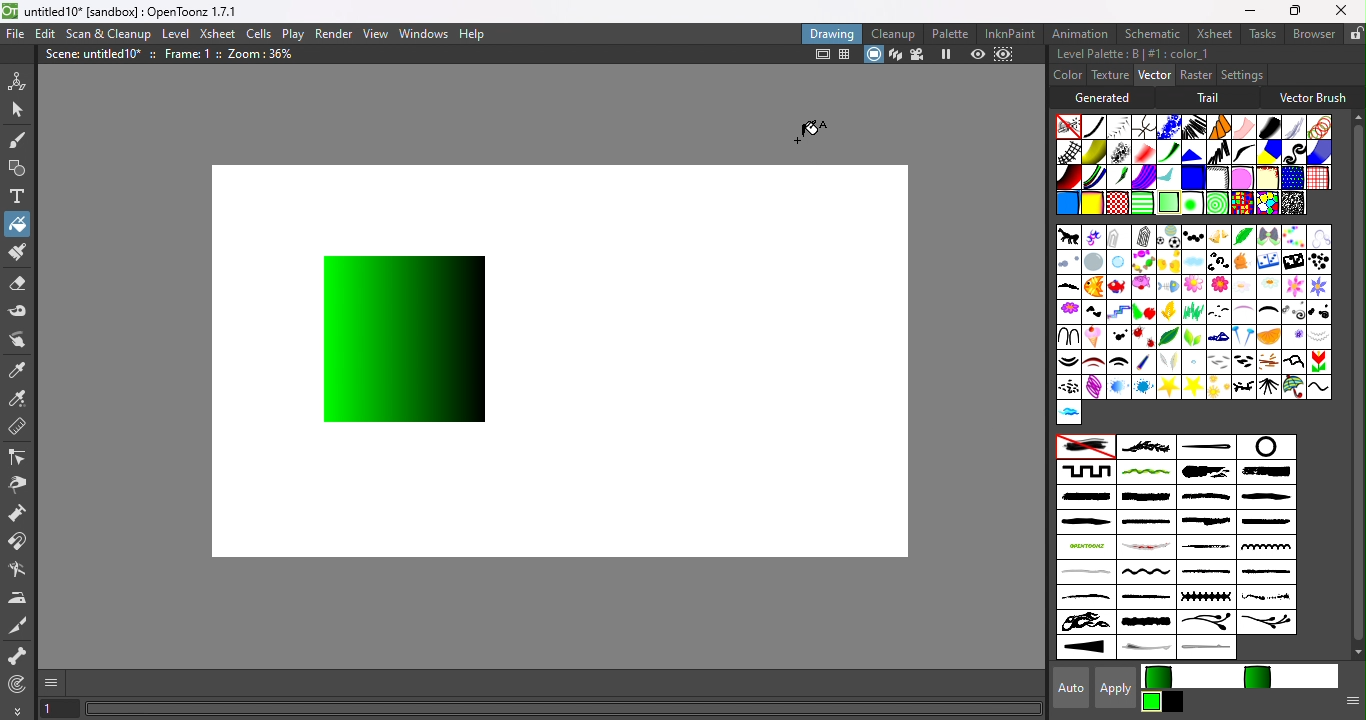 The width and height of the screenshot is (1366, 720). What do you see at coordinates (1316, 287) in the screenshot?
I see `Flow4` at bounding box center [1316, 287].